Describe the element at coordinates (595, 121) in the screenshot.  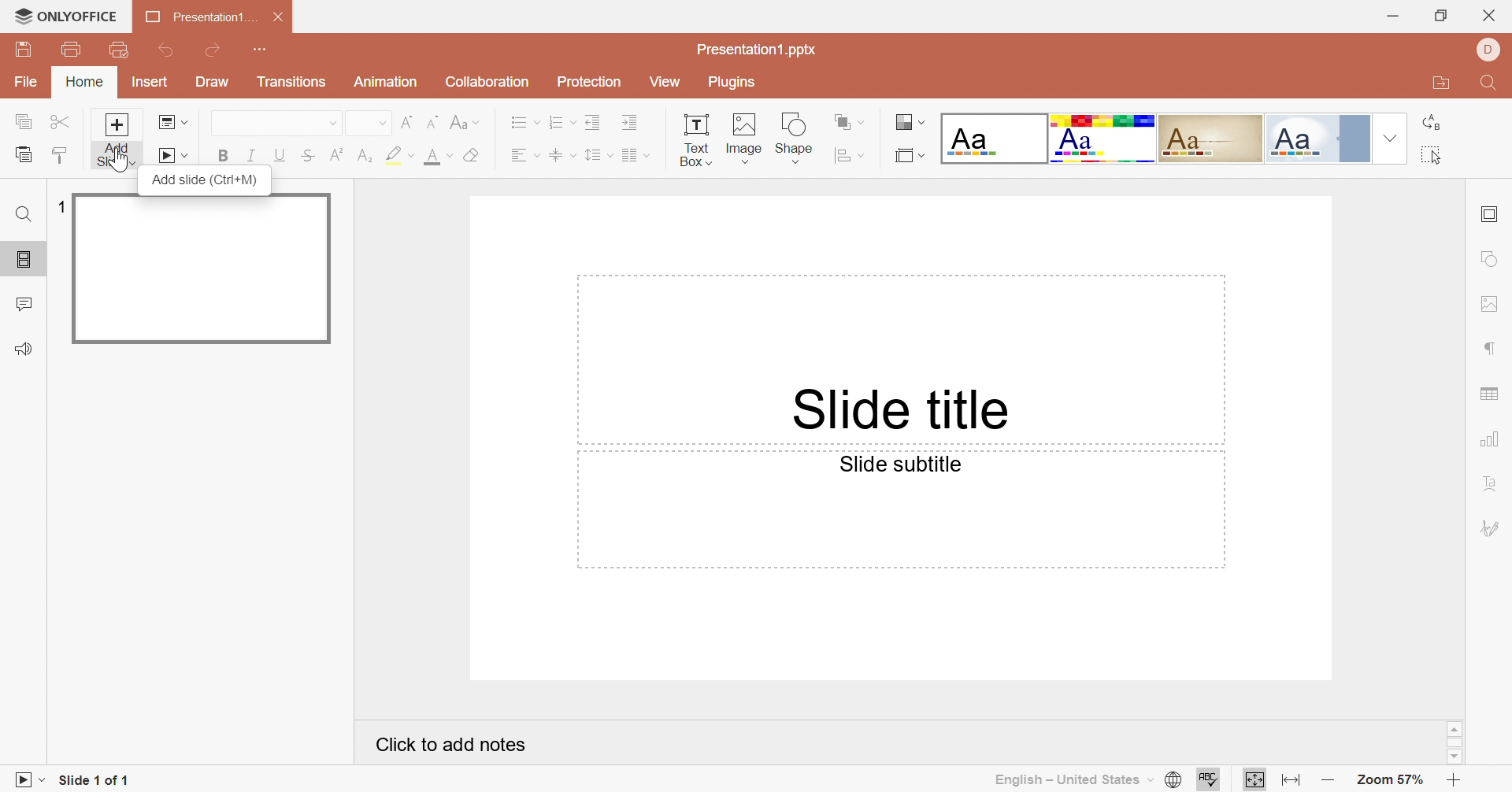
I see `Decrease Indent` at that location.